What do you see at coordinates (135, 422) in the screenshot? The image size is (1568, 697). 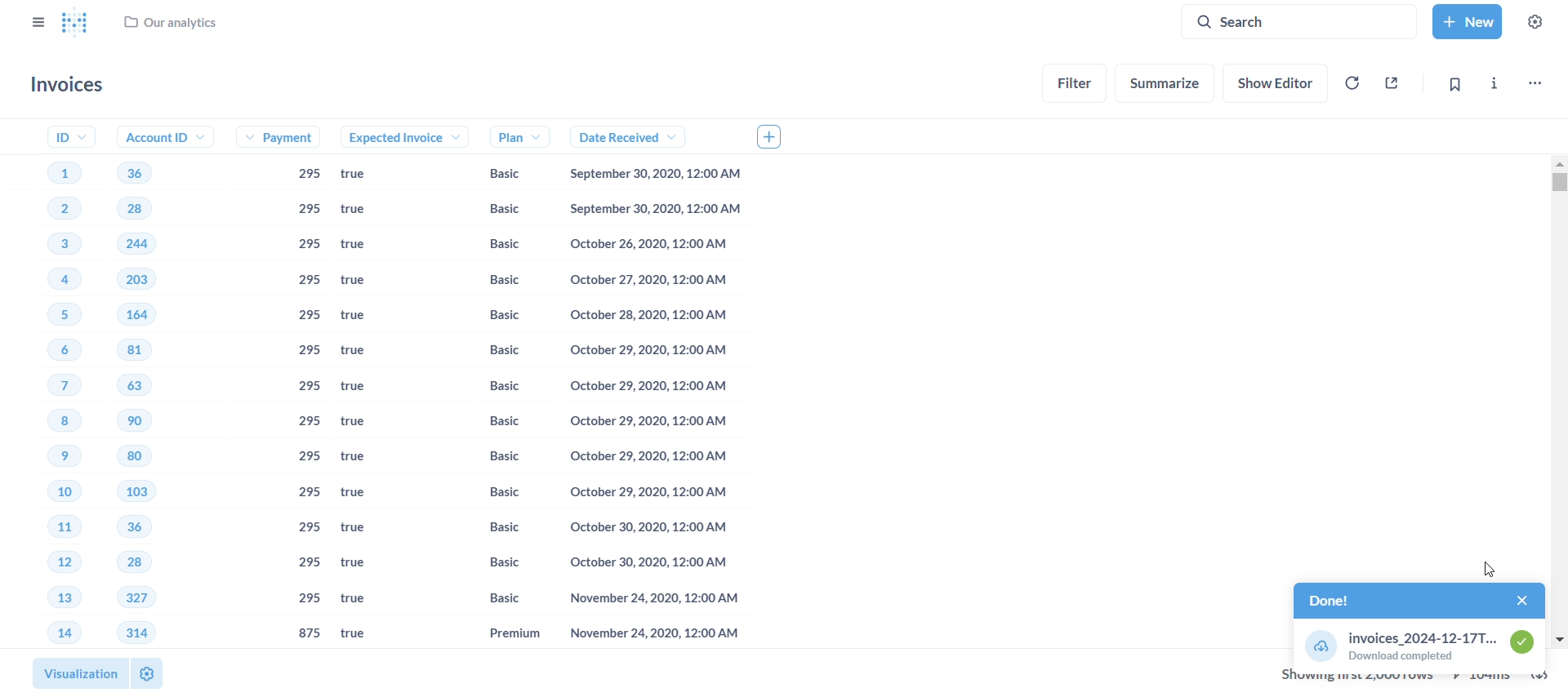 I see `90` at bounding box center [135, 422].